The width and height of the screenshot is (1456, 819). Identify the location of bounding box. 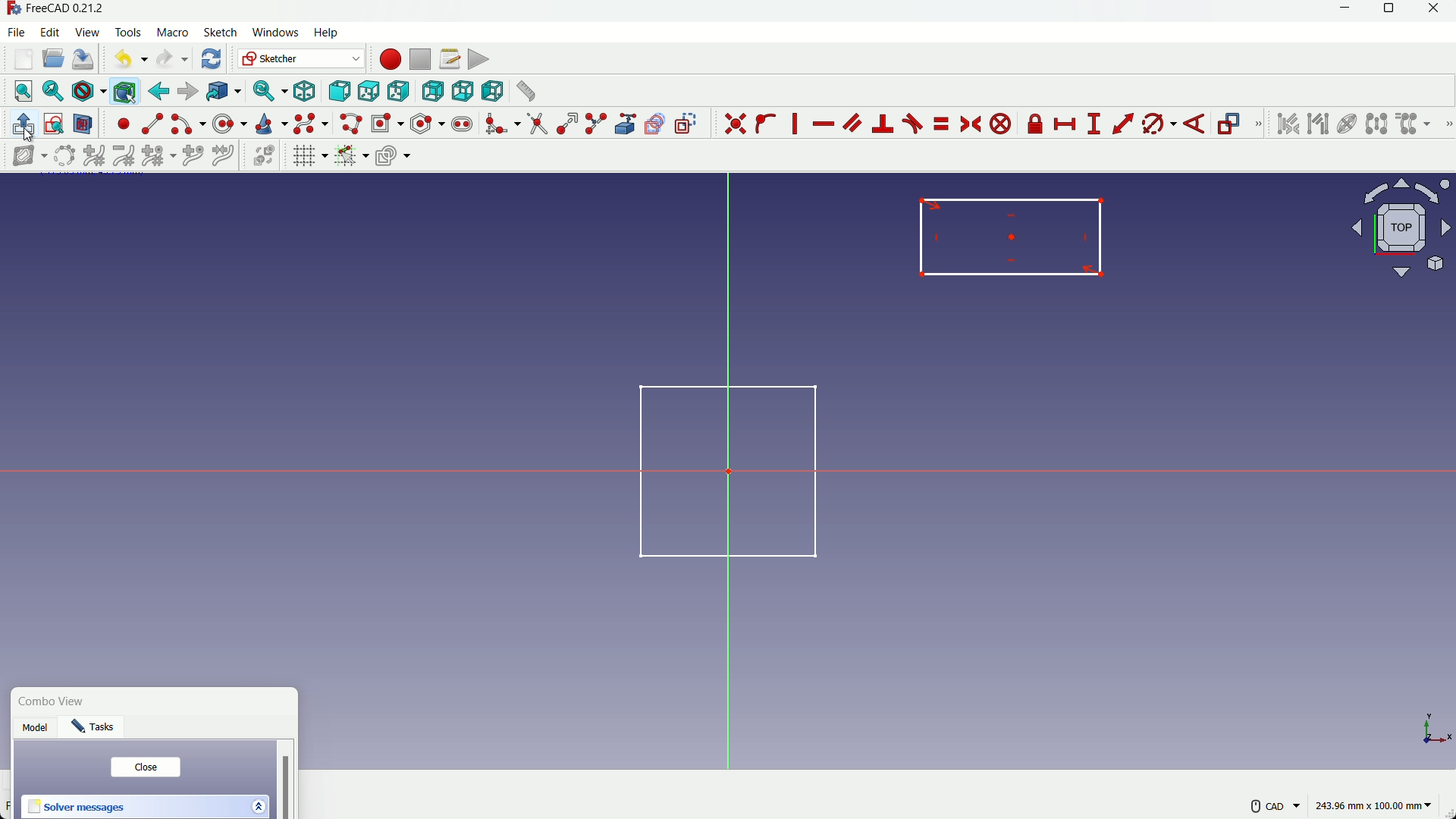
(124, 91).